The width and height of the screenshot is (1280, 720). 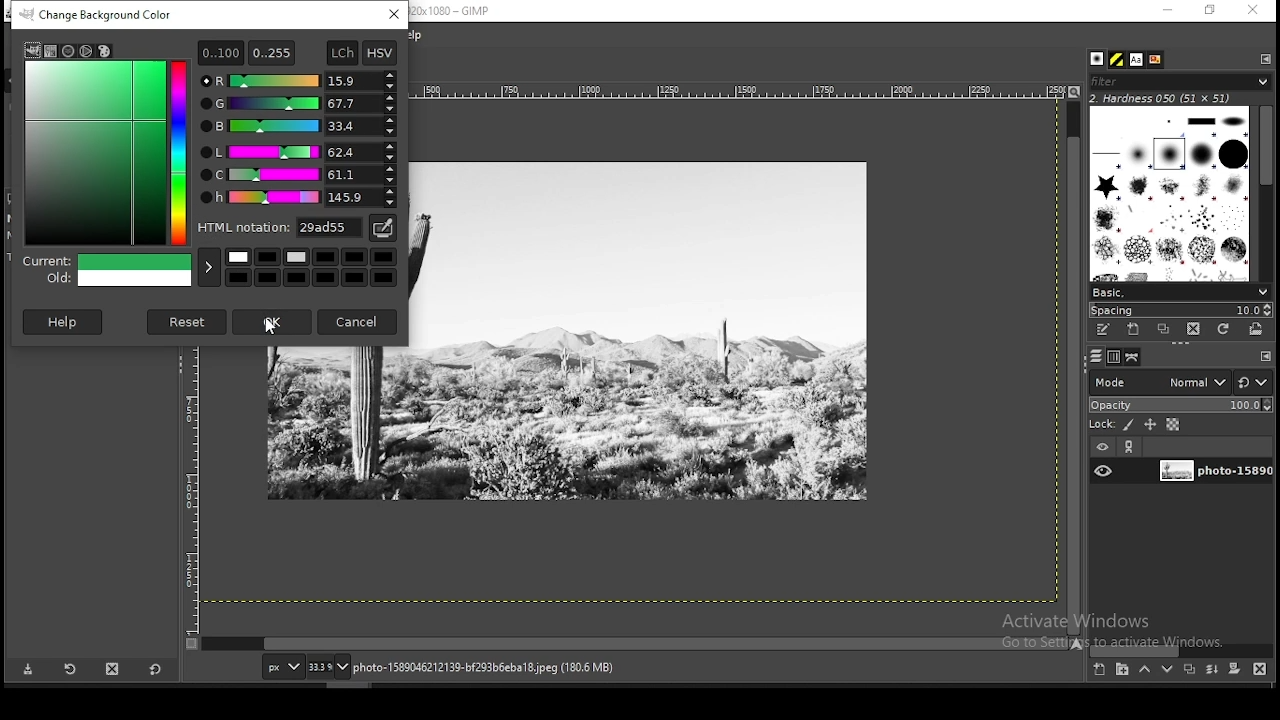 What do you see at coordinates (1211, 10) in the screenshot?
I see `restore` at bounding box center [1211, 10].